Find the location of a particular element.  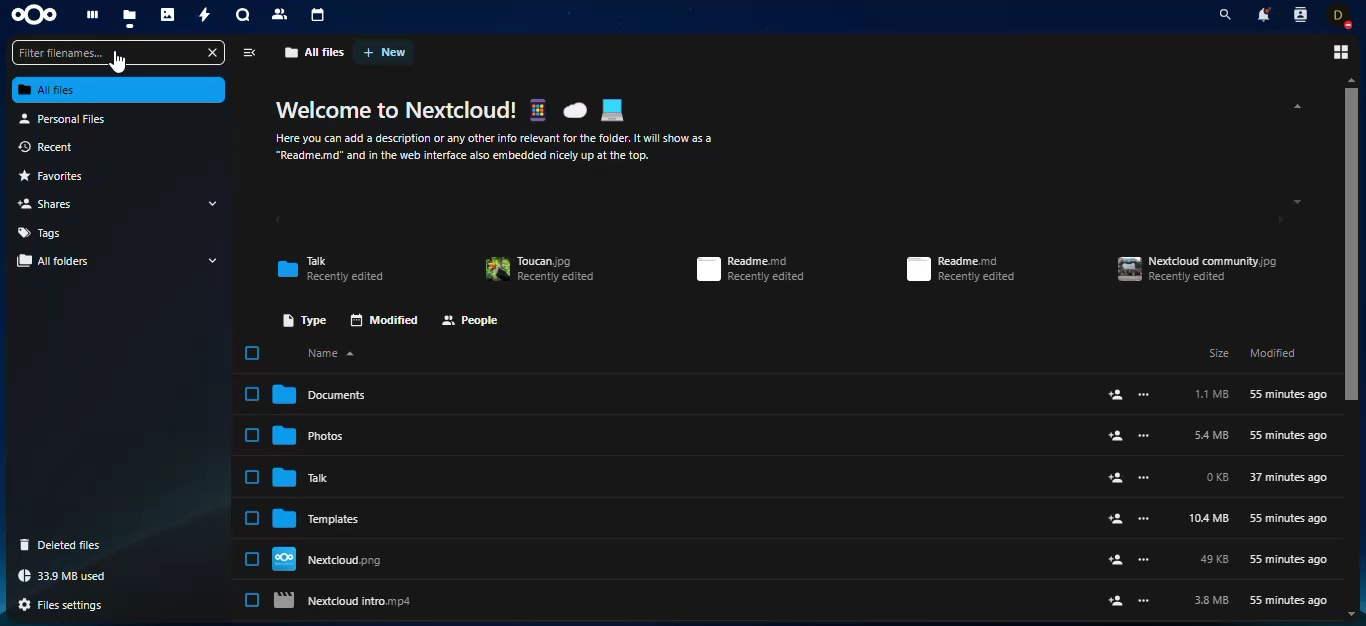

scroll right is located at coordinates (1278, 220).